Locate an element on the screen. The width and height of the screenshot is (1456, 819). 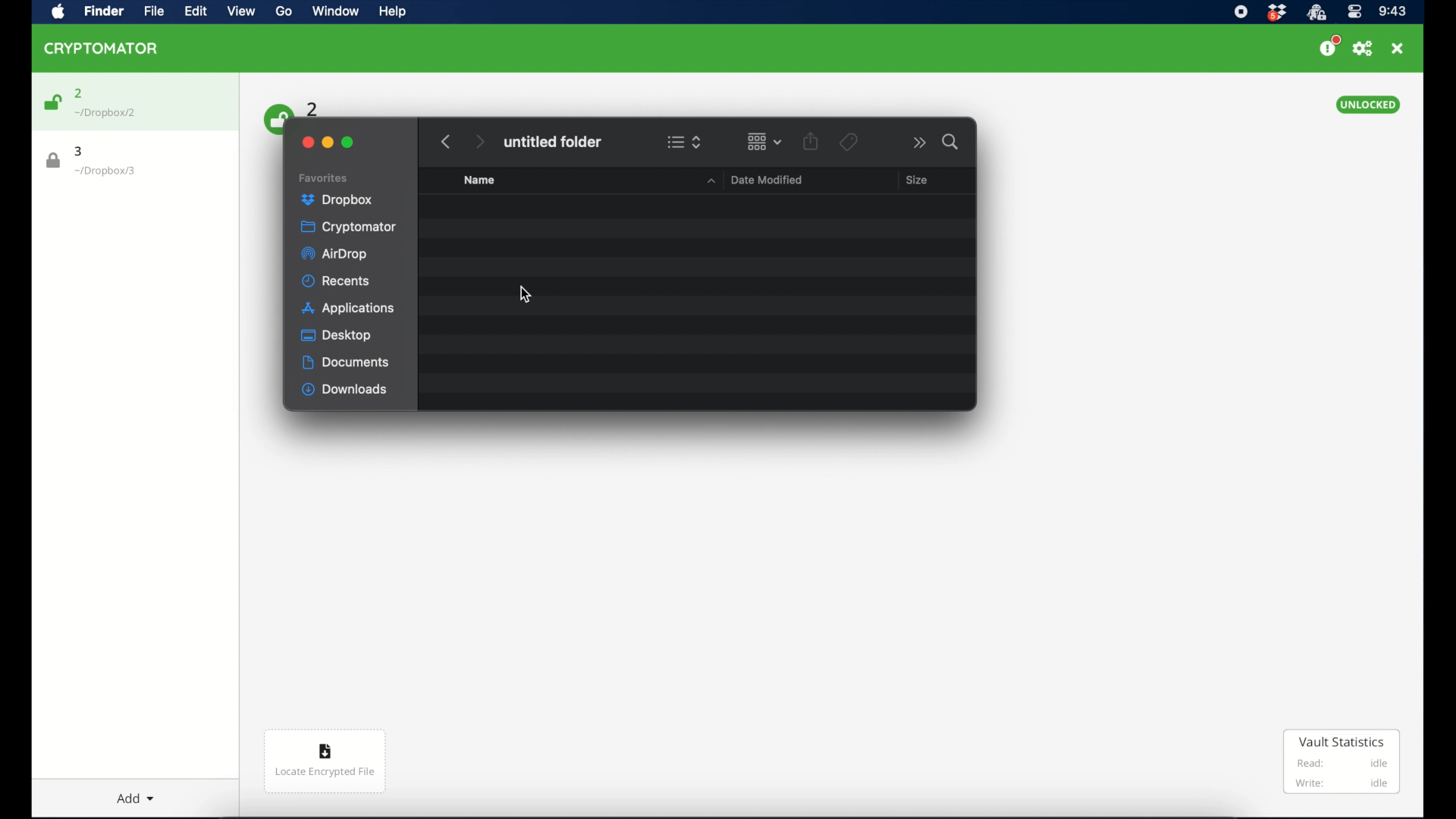
documents is located at coordinates (346, 362).